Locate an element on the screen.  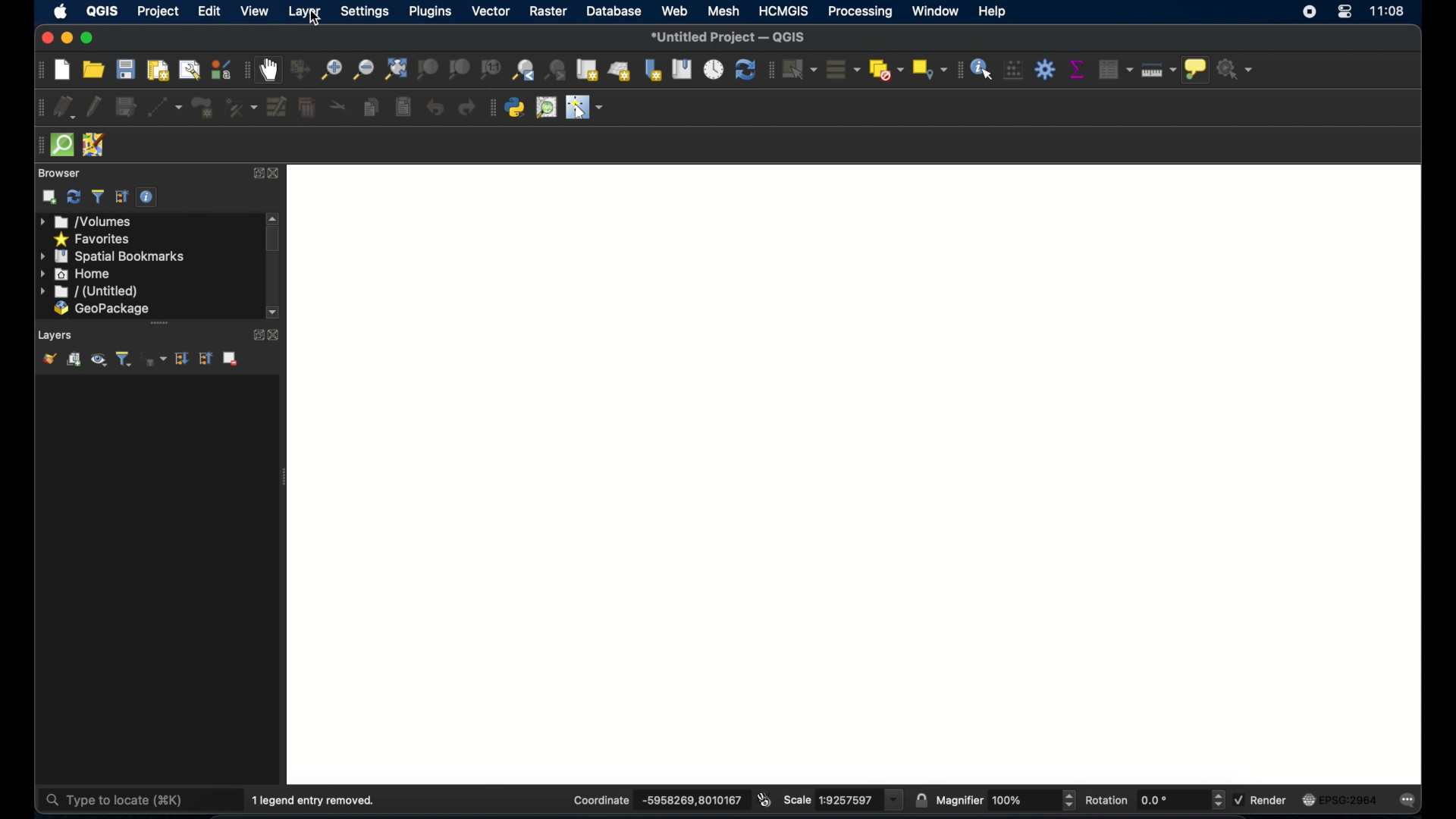
show map tips is located at coordinates (1197, 71).